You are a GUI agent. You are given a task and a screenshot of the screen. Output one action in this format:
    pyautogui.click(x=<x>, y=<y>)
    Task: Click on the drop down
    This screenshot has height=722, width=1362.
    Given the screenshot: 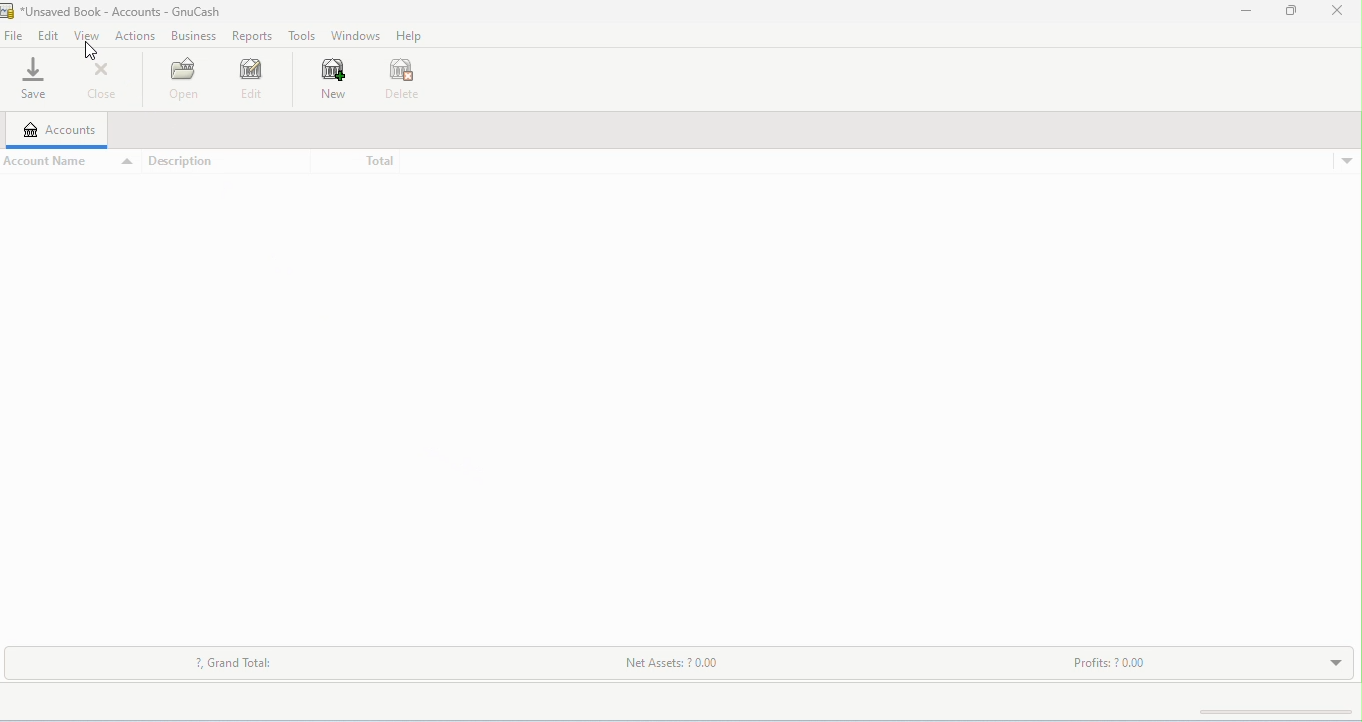 What is the action you would take?
    pyautogui.click(x=1345, y=161)
    